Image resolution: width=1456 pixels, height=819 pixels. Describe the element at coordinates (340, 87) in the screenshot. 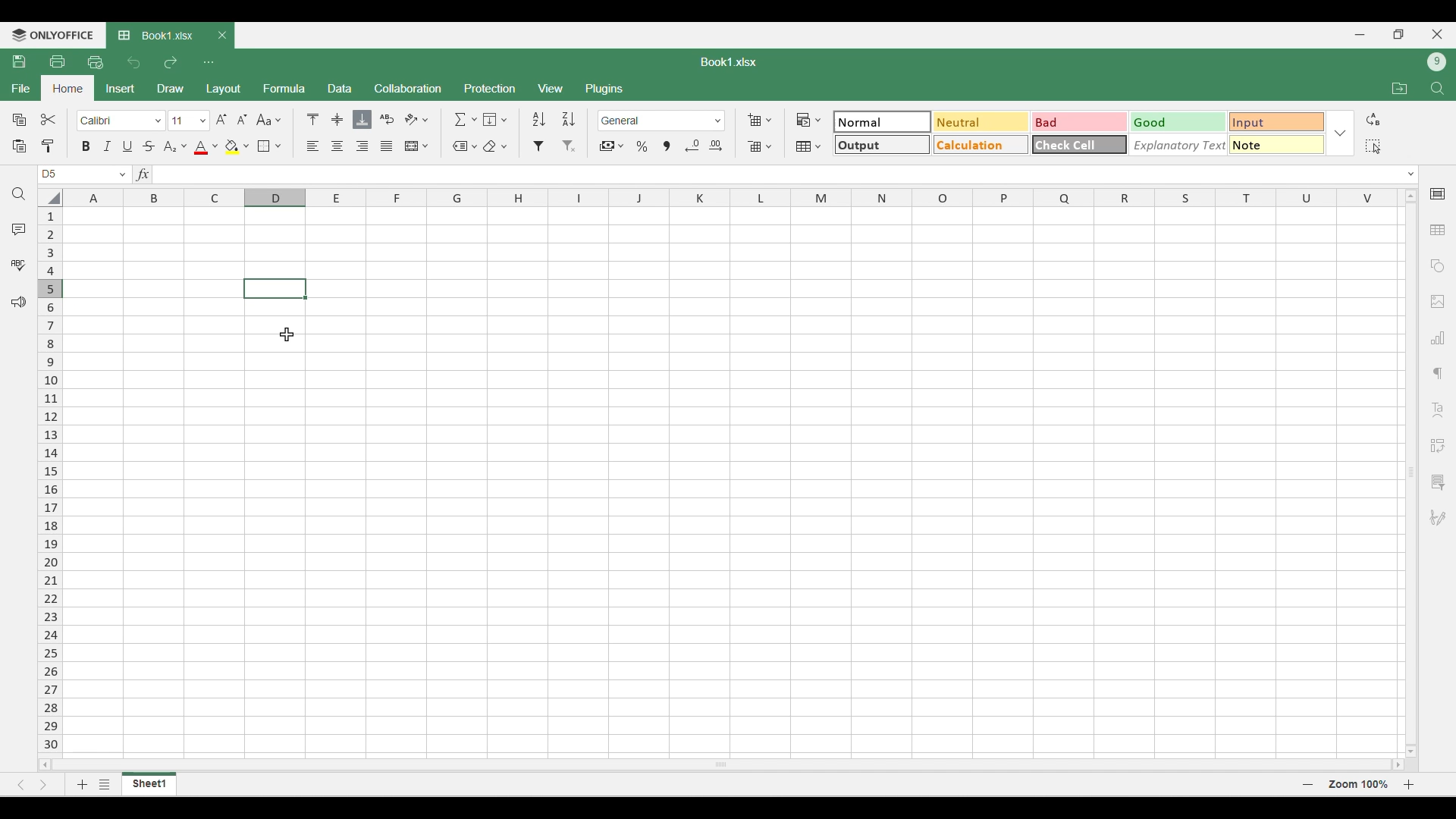

I see `Data menu` at that location.